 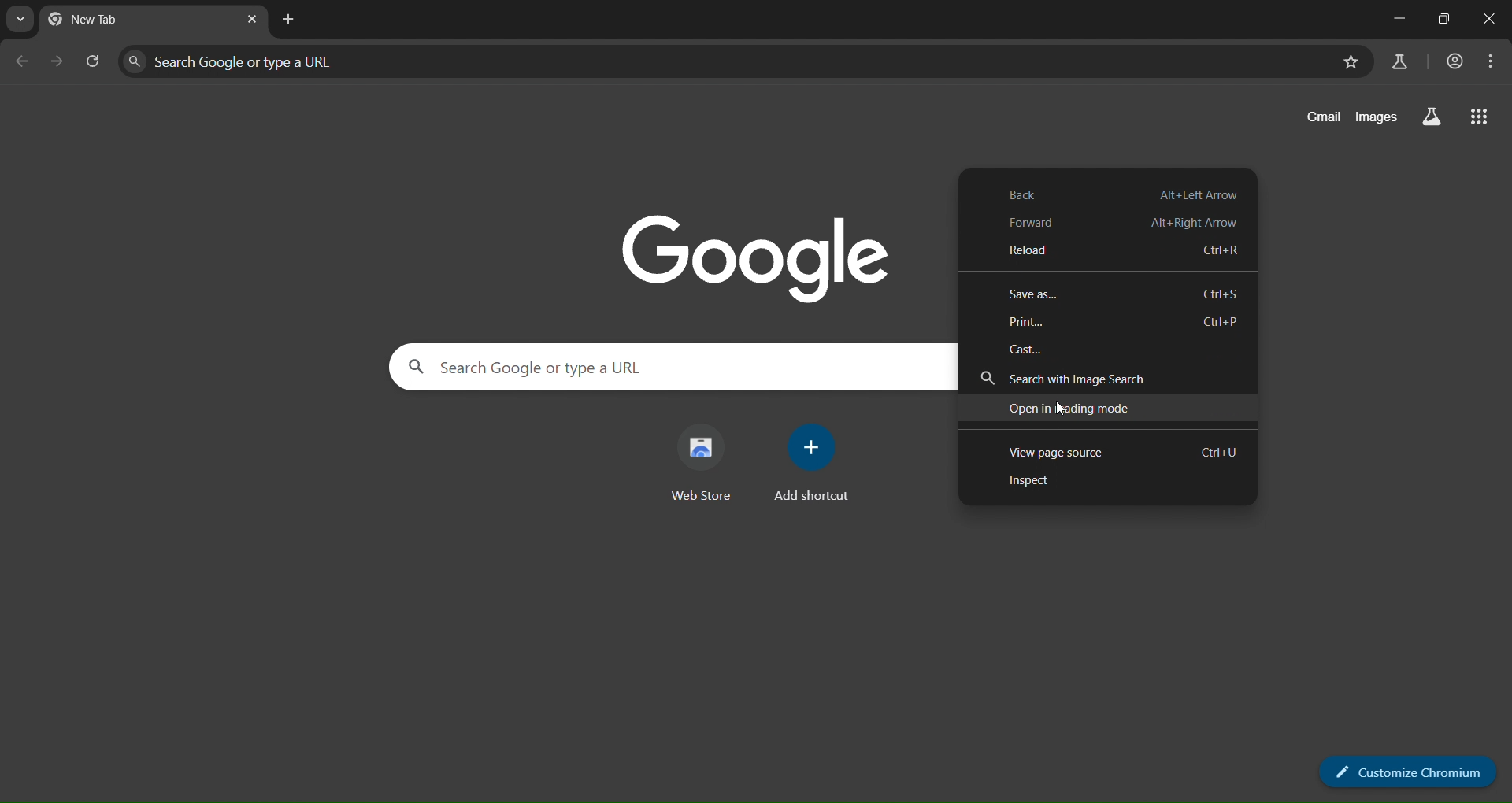 What do you see at coordinates (91, 59) in the screenshot?
I see `reload` at bounding box center [91, 59].